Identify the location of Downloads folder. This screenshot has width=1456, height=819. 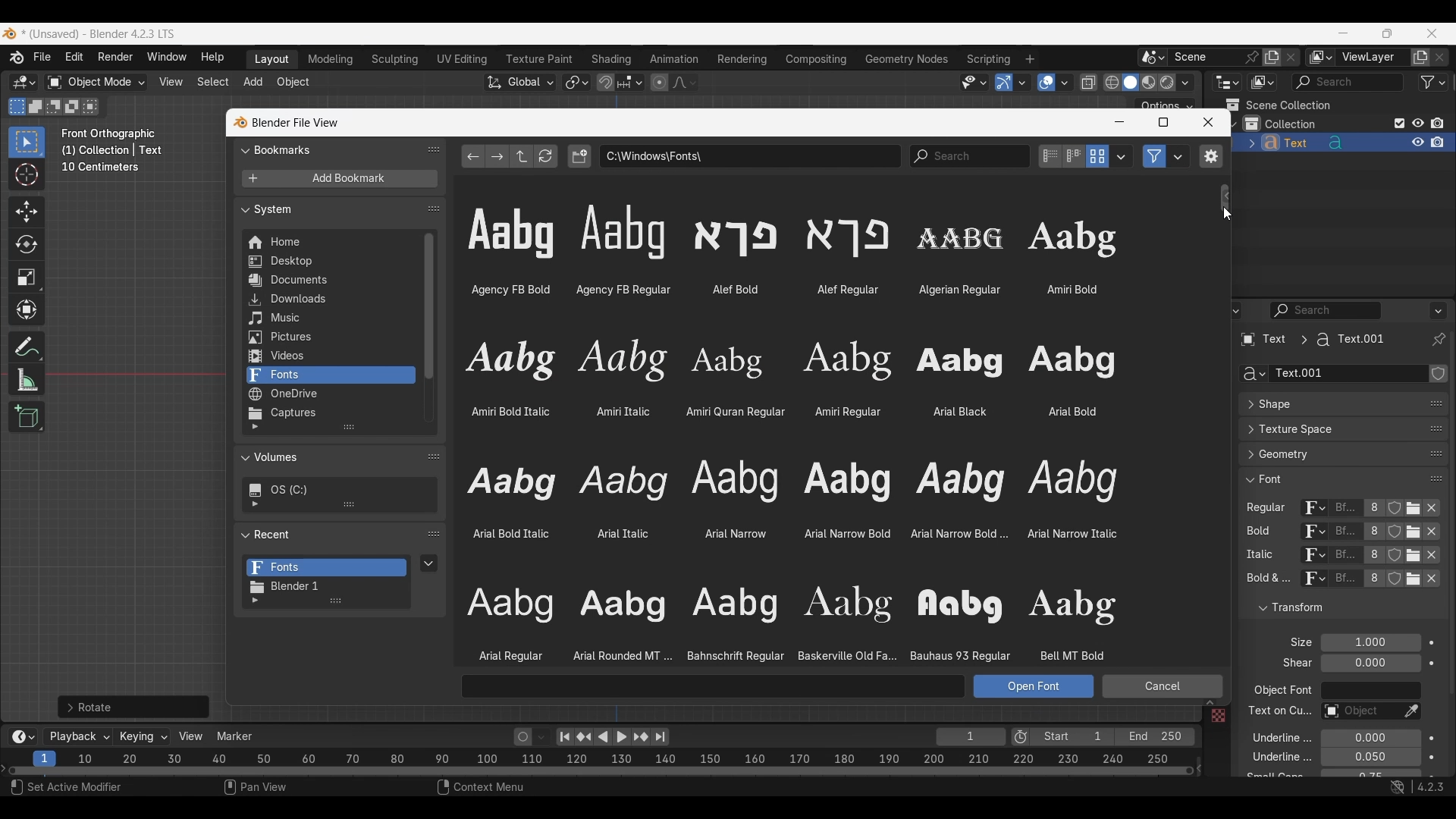
(329, 300).